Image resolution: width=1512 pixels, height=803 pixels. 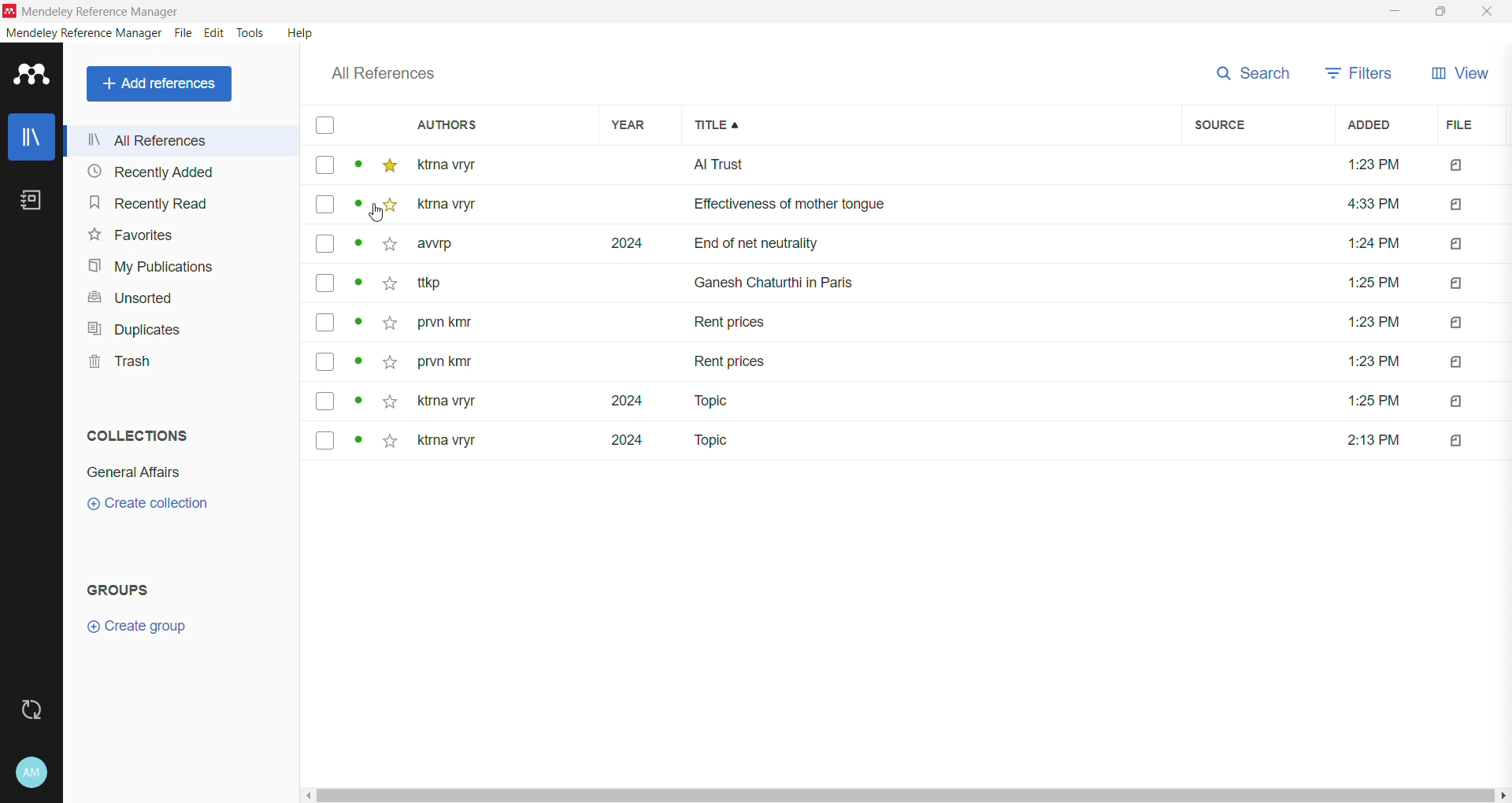 I want to click on File, so click(x=1469, y=125).